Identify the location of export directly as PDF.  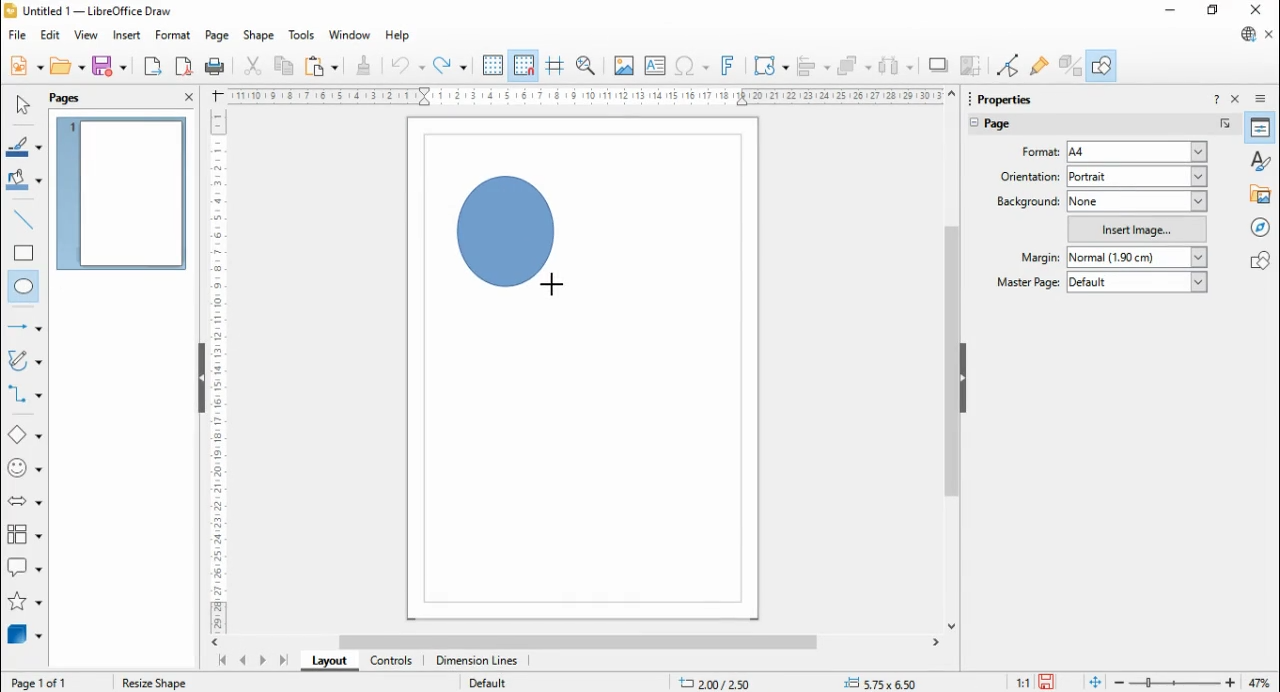
(183, 66).